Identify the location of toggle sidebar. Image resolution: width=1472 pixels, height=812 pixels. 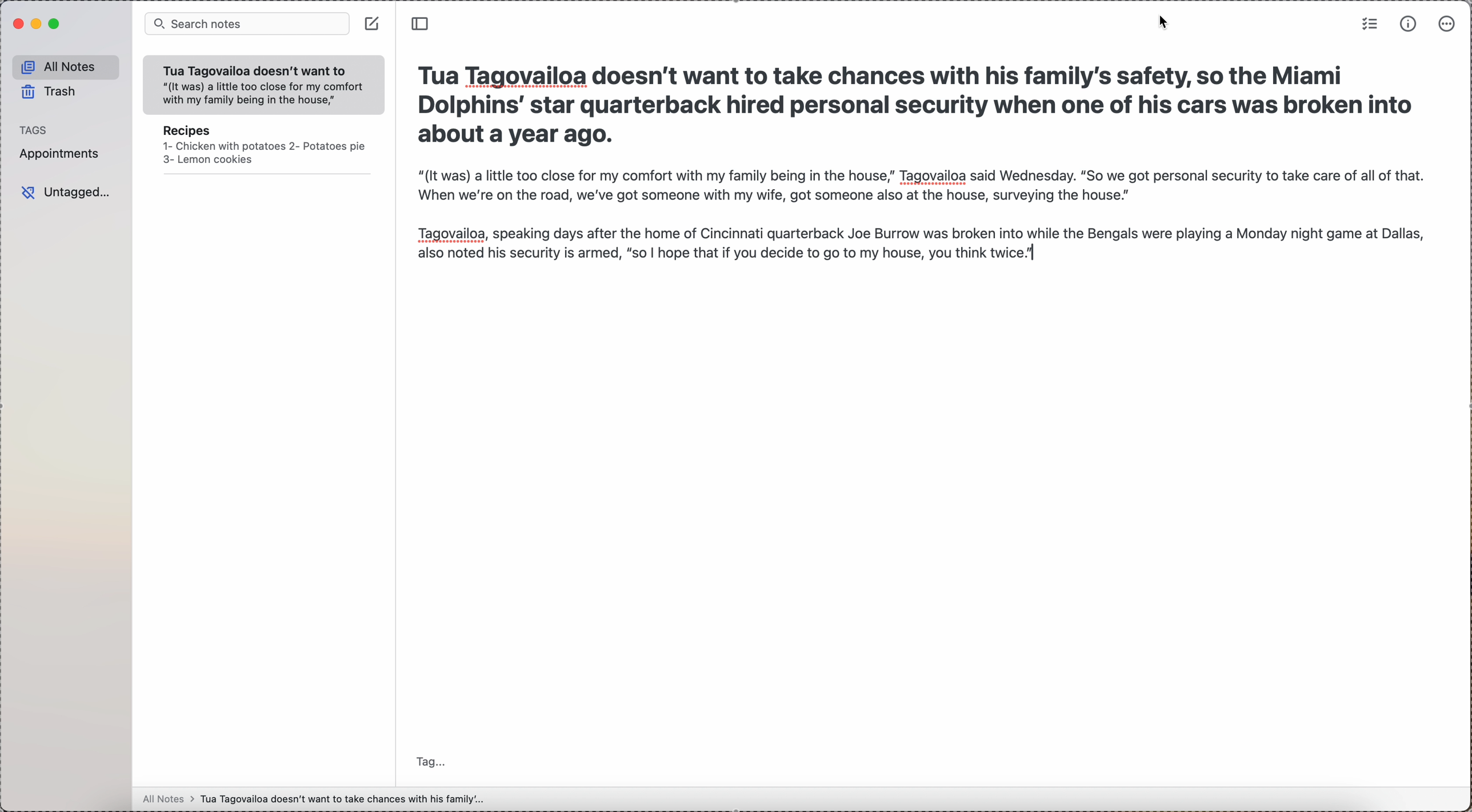
(422, 25).